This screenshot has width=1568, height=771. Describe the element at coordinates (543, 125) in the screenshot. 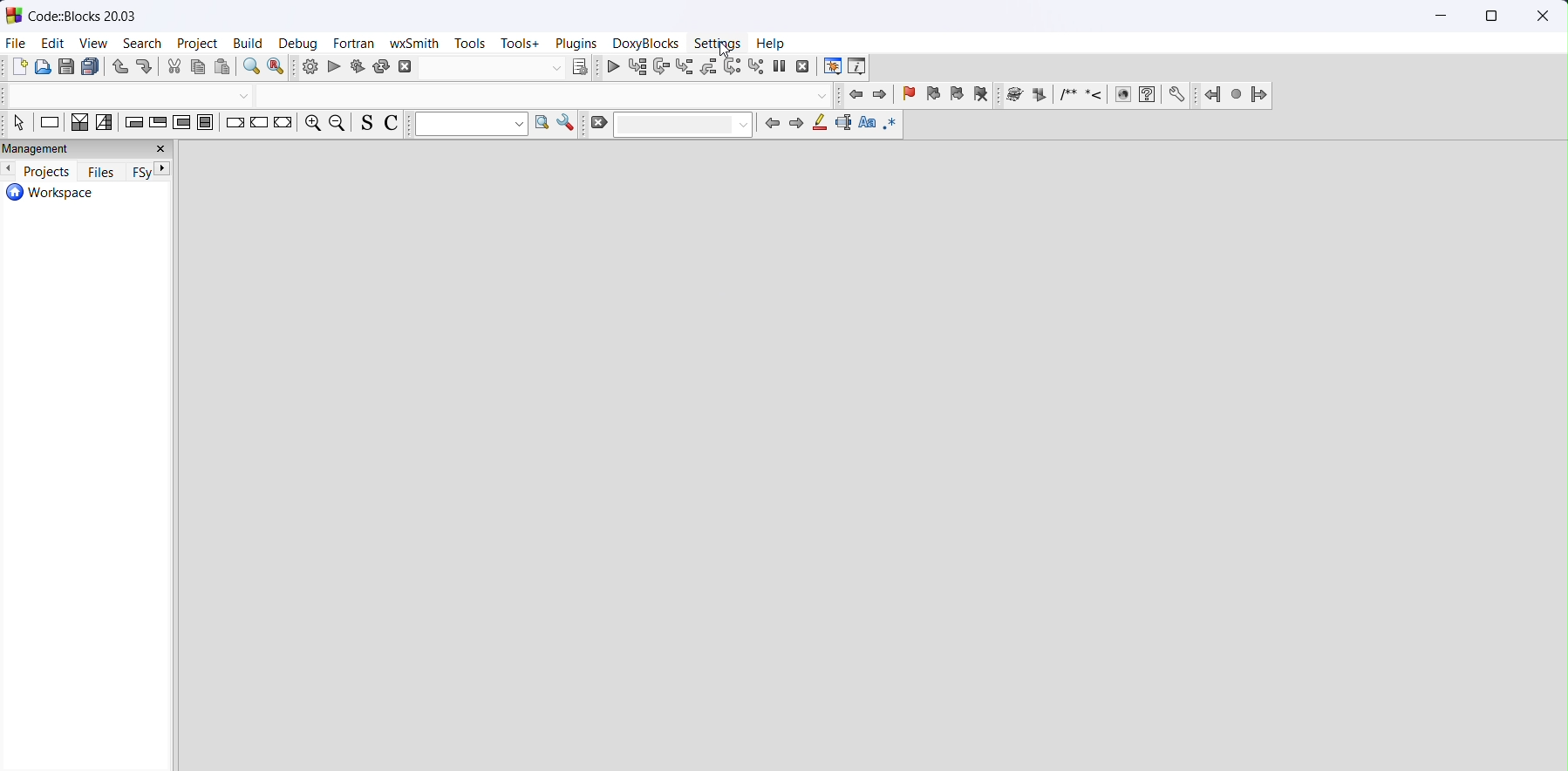

I see `run search ` at that location.